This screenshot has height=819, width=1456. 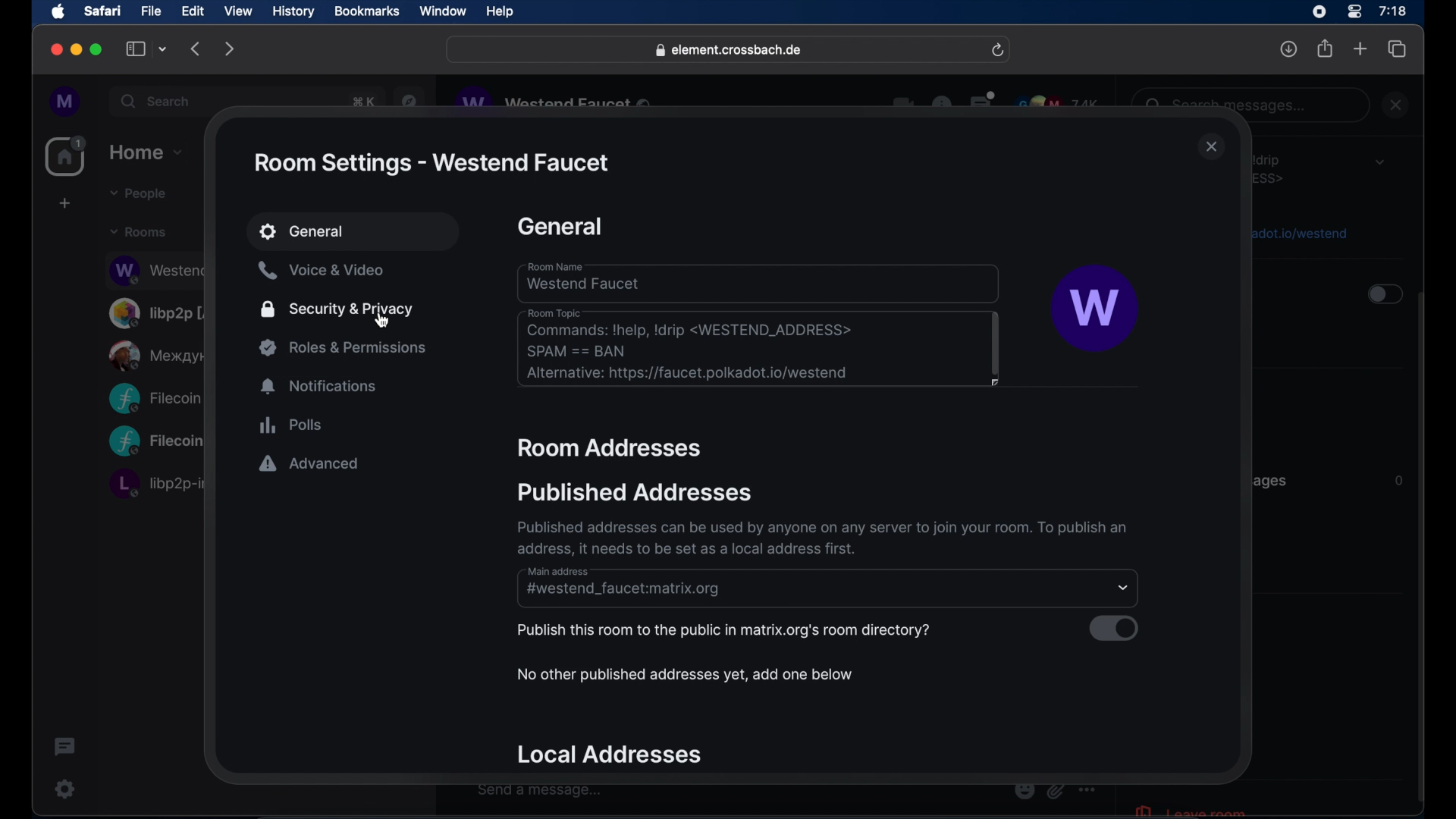 What do you see at coordinates (1124, 588) in the screenshot?
I see `dropdown` at bounding box center [1124, 588].